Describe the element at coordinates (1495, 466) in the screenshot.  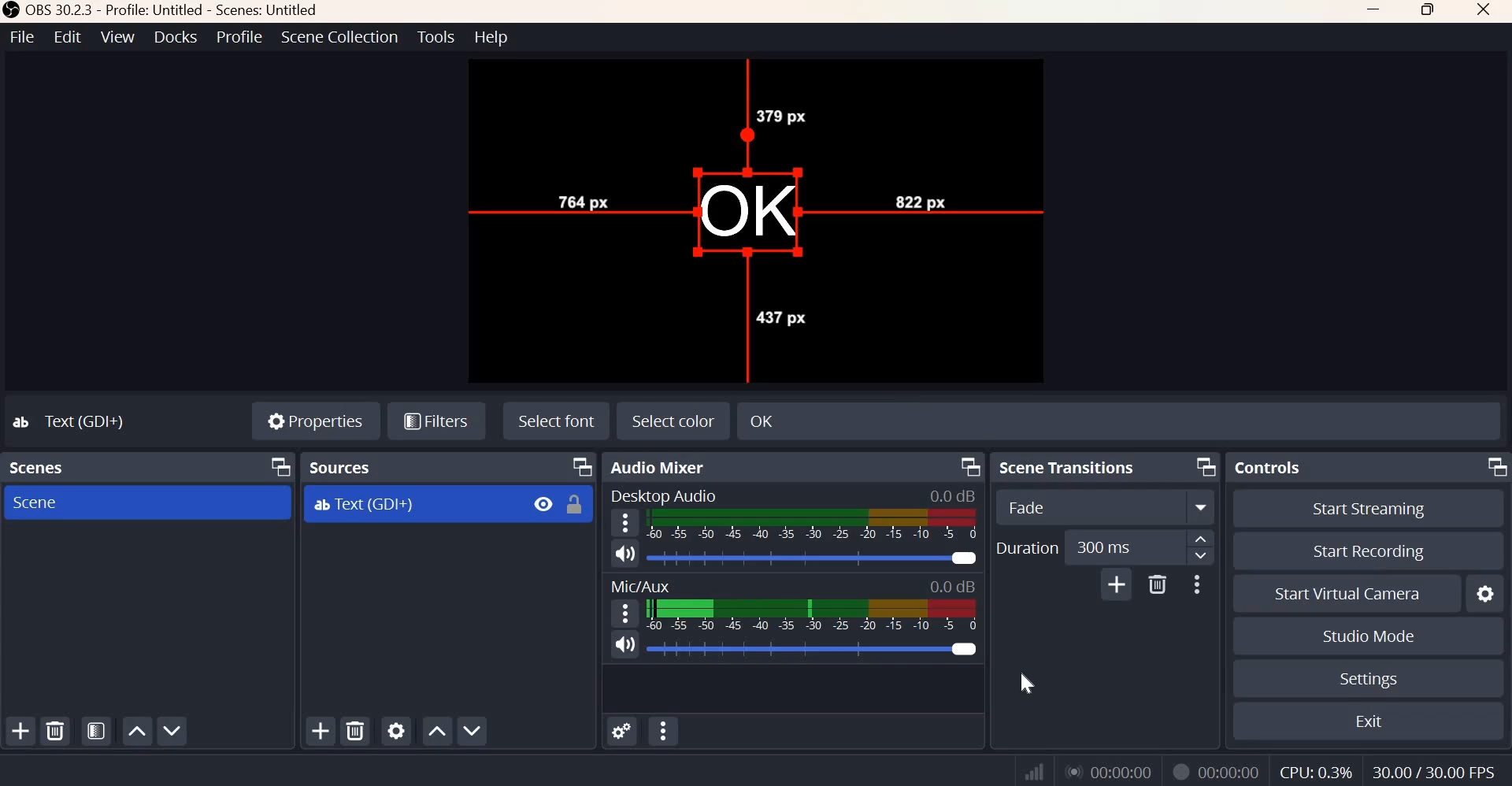
I see `Dock Options icon` at that location.